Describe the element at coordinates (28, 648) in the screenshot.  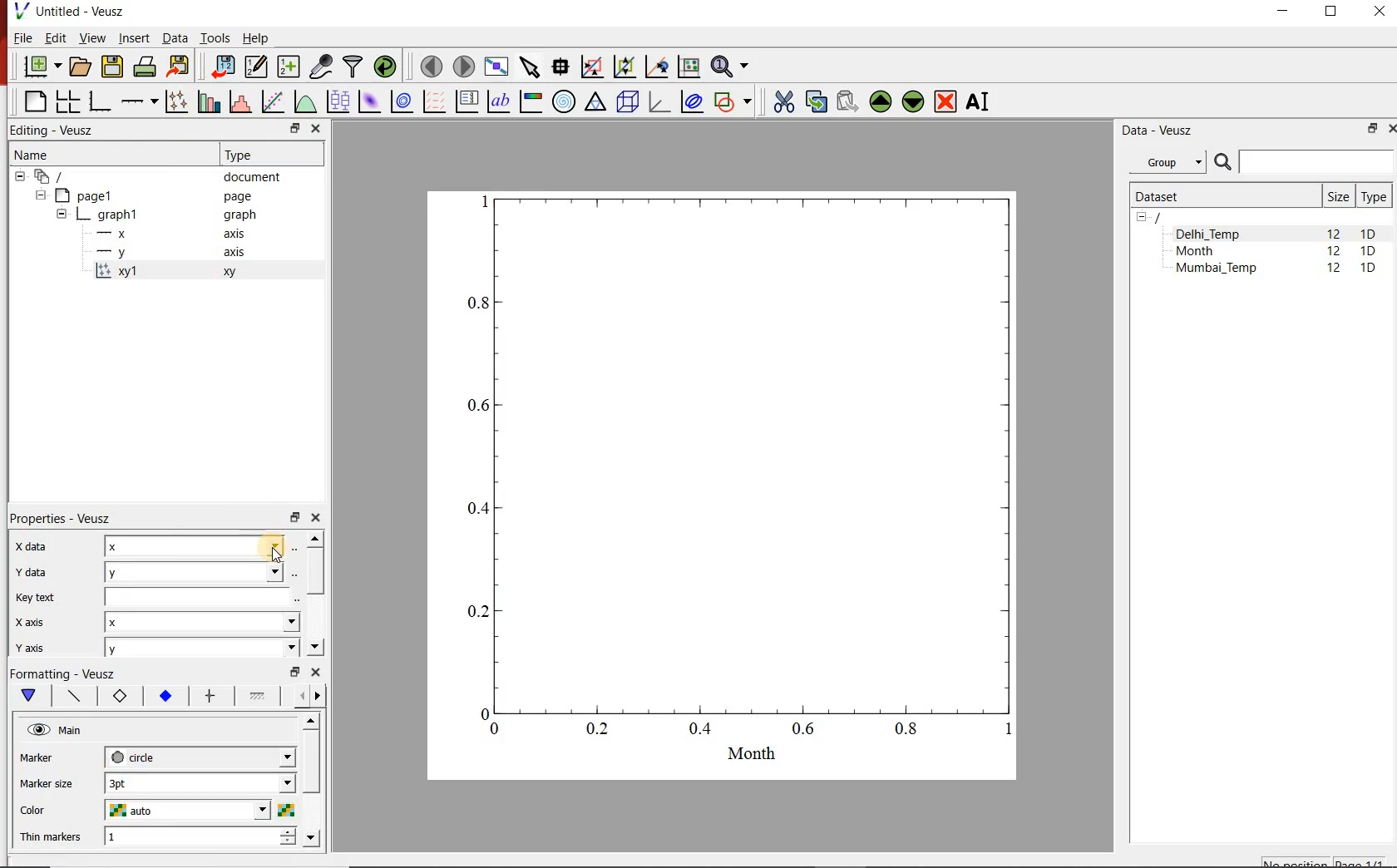
I see `y axis` at that location.